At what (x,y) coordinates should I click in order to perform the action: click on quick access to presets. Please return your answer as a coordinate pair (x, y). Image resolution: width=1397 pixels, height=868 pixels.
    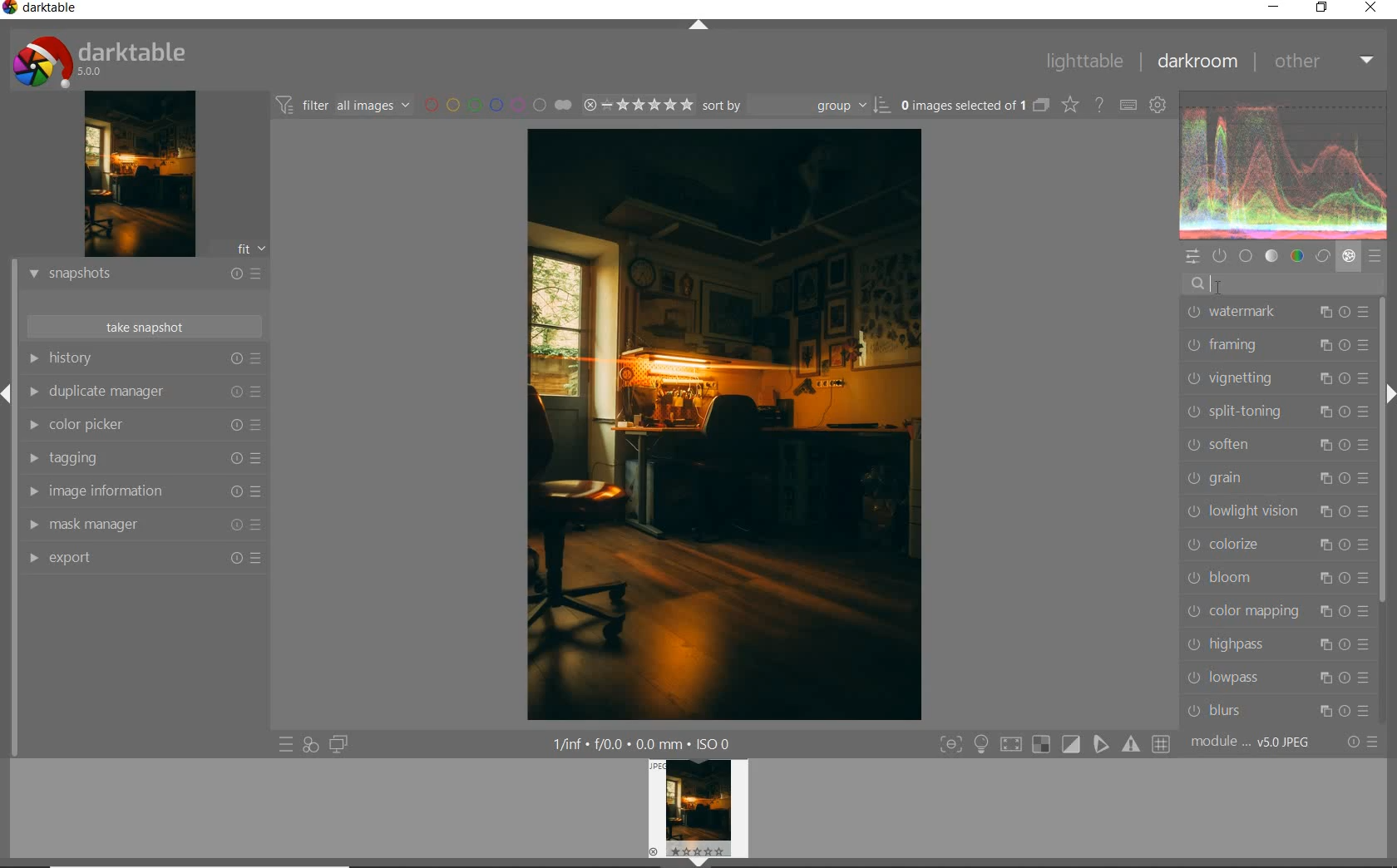
    Looking at the image, I should click on (287, 743).